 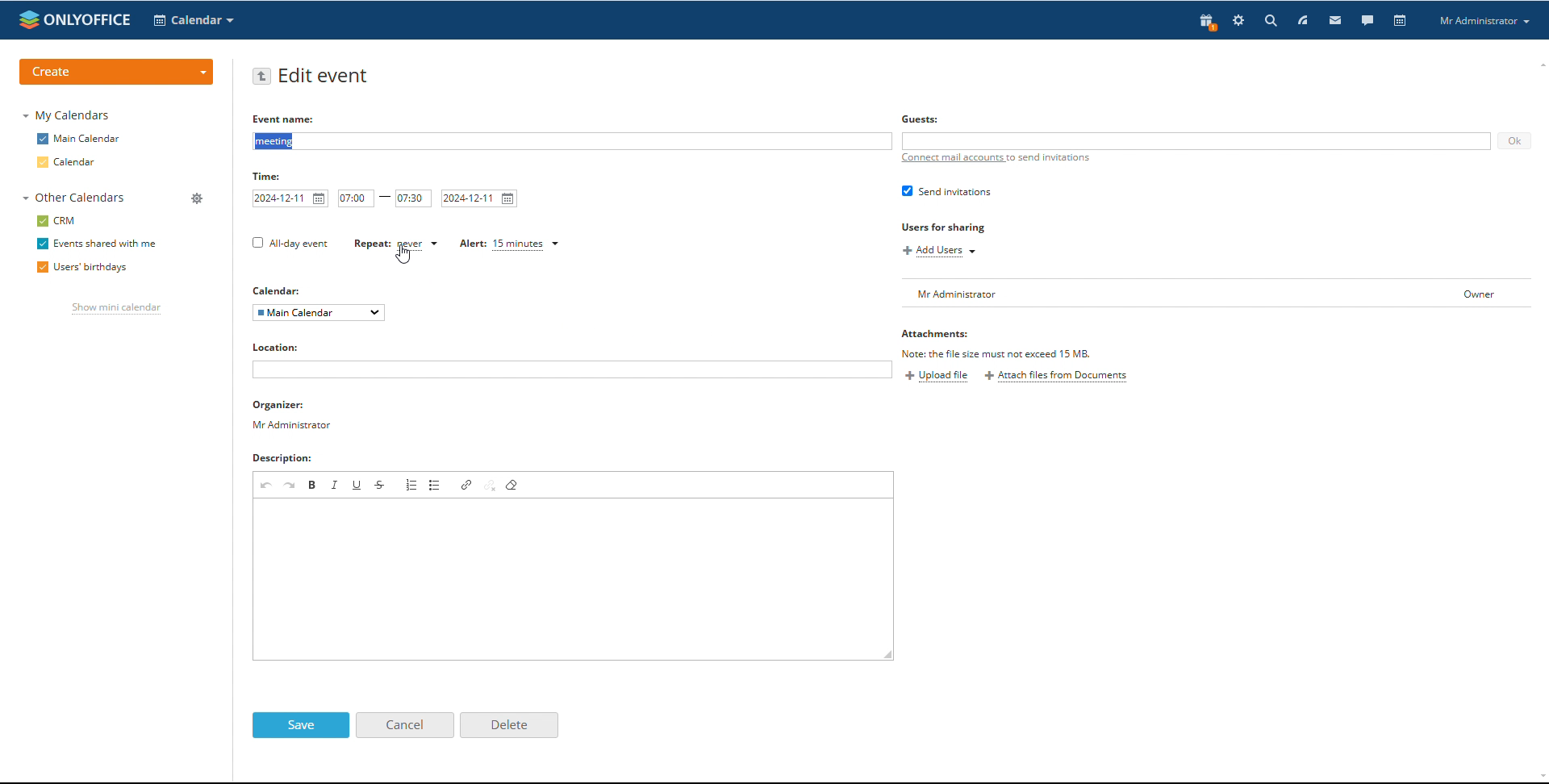 I want to click on event repetition, so click(x=396, y=244).